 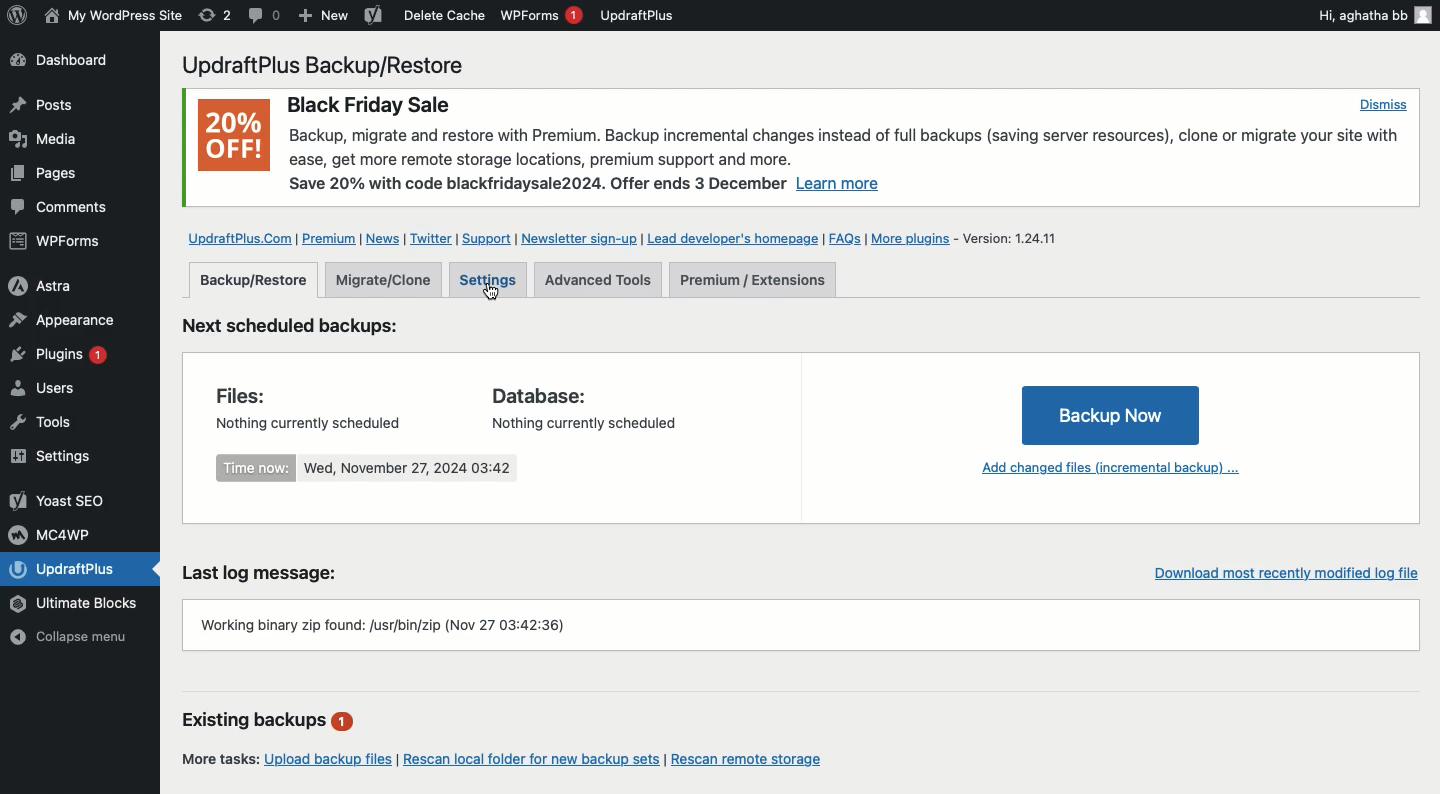 I want to click on Upload backup files, so click(x=329, y=760).